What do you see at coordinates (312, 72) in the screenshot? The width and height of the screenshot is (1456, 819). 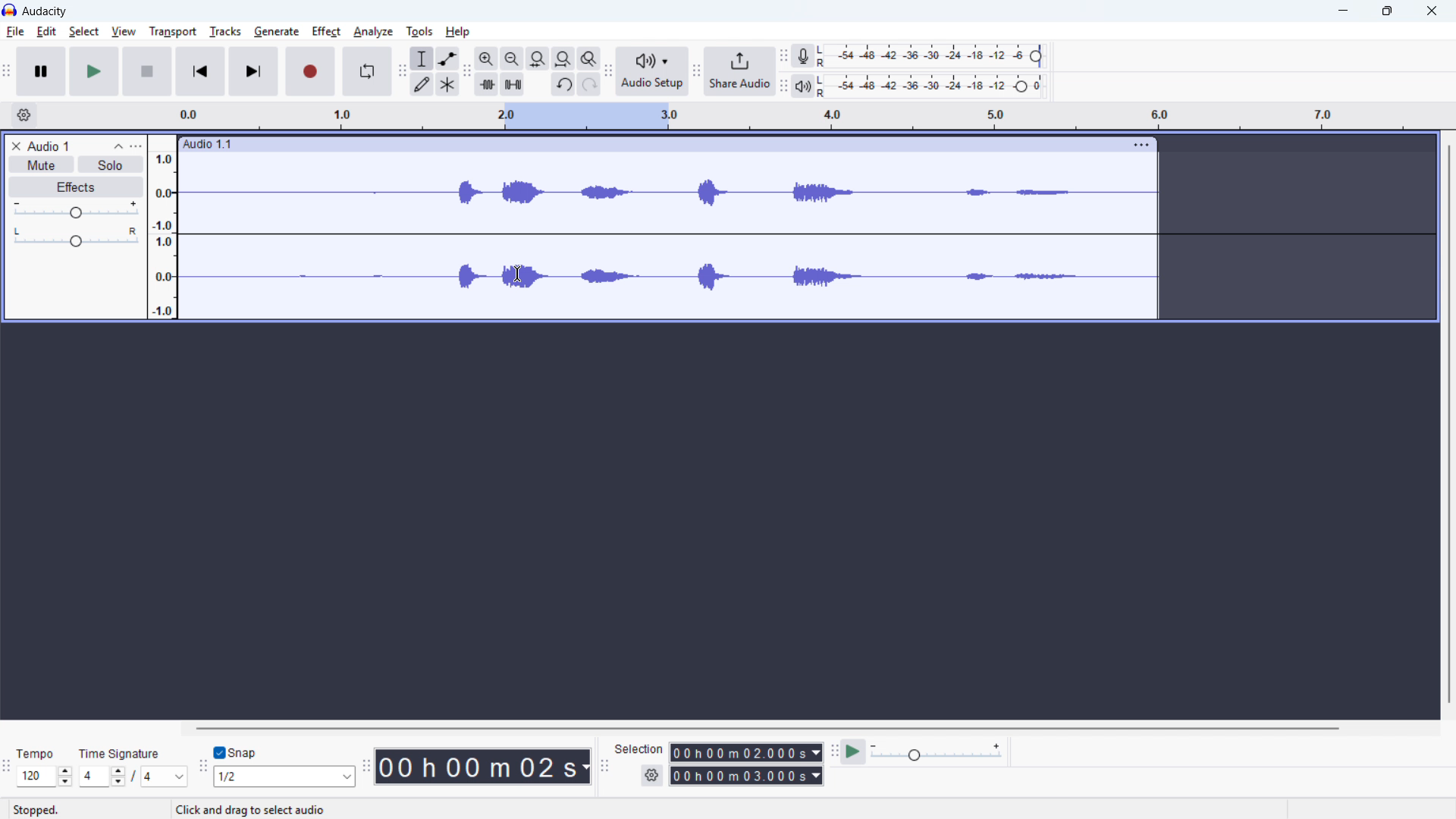 I see `Record` at bounding box center [312, 72].